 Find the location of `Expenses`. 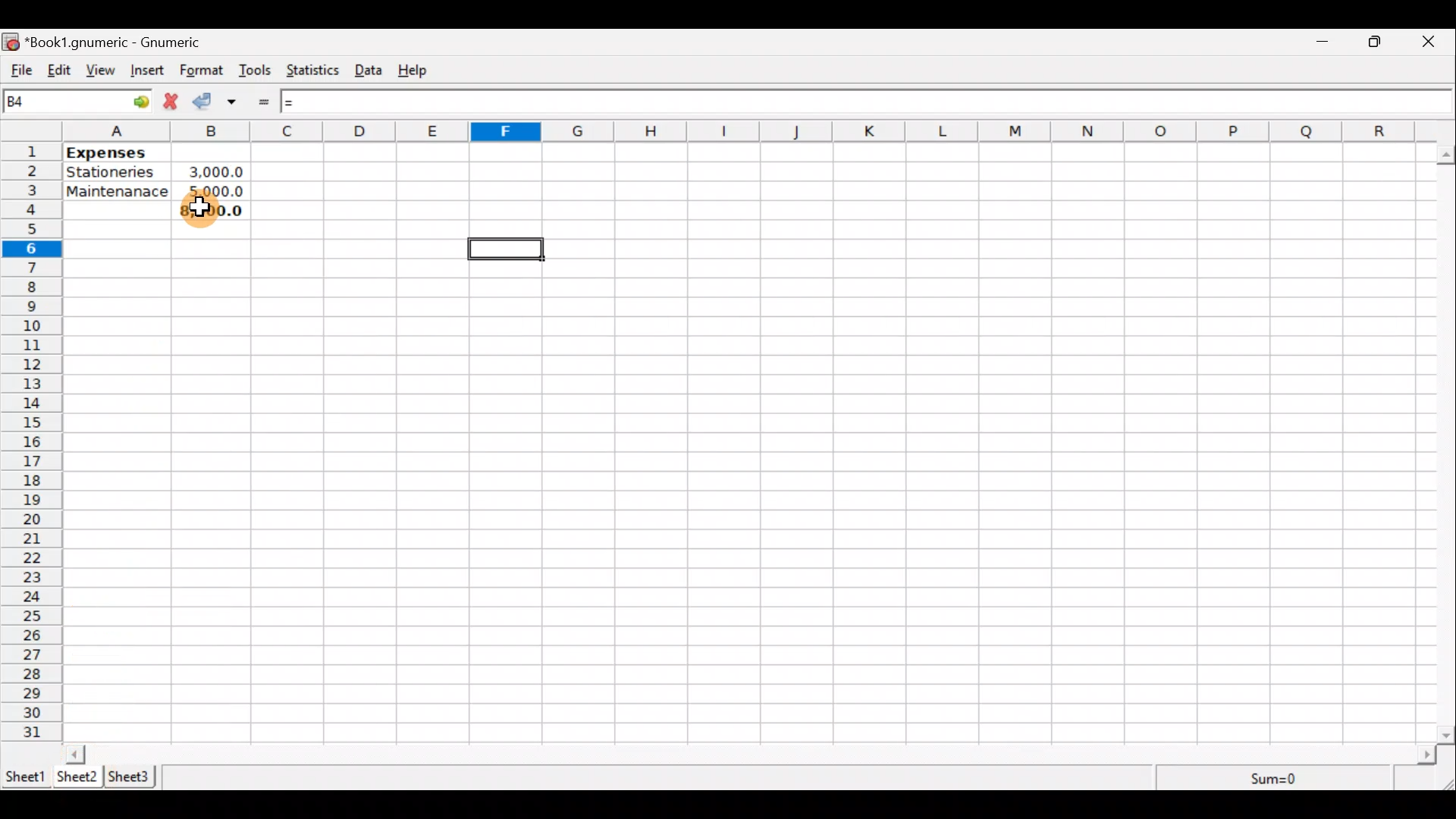

Expenses is located at coordinates (110, 153).